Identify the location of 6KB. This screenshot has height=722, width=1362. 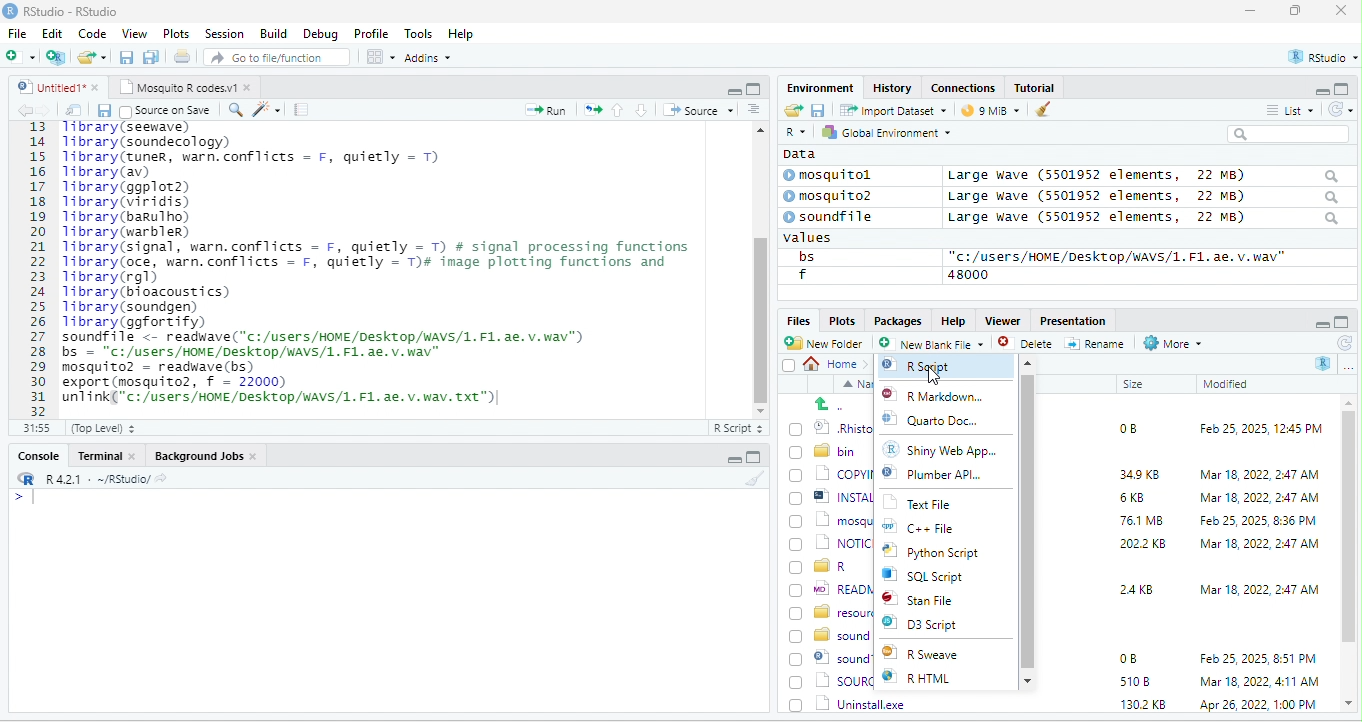
(1133, 498).